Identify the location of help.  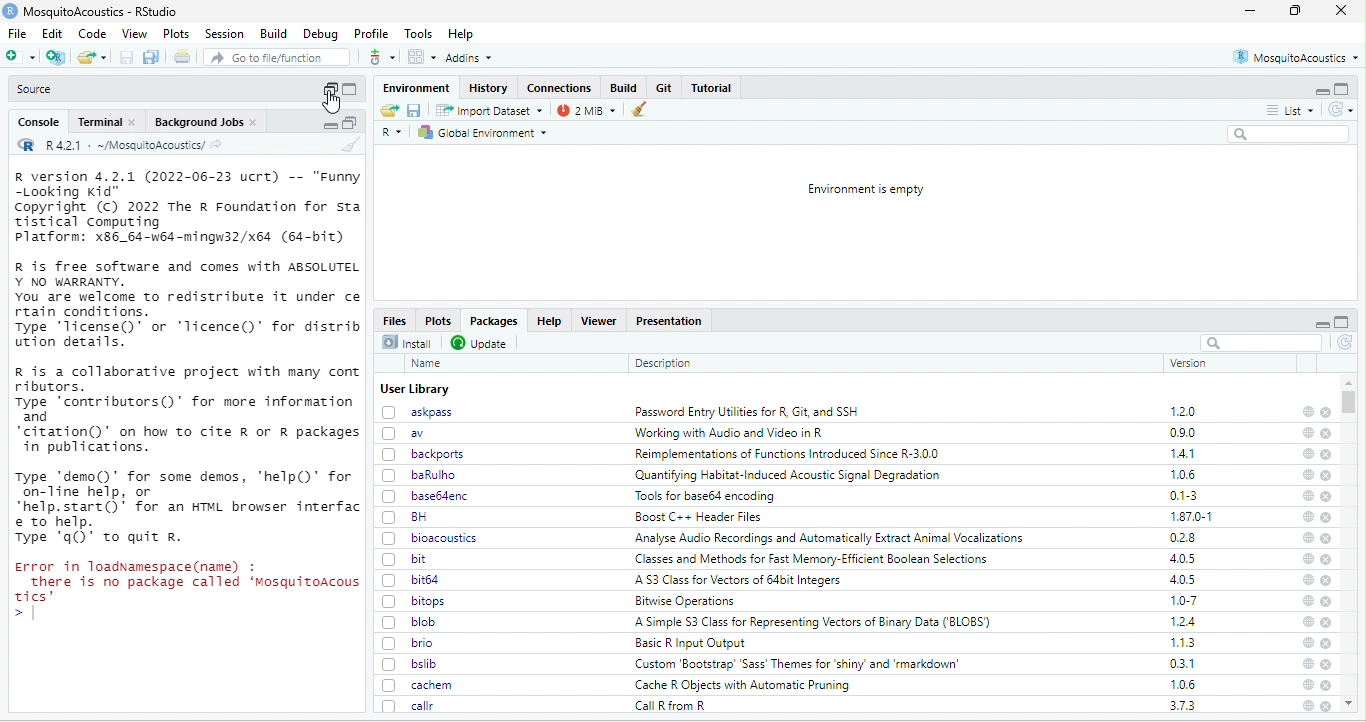
(1306, 434).